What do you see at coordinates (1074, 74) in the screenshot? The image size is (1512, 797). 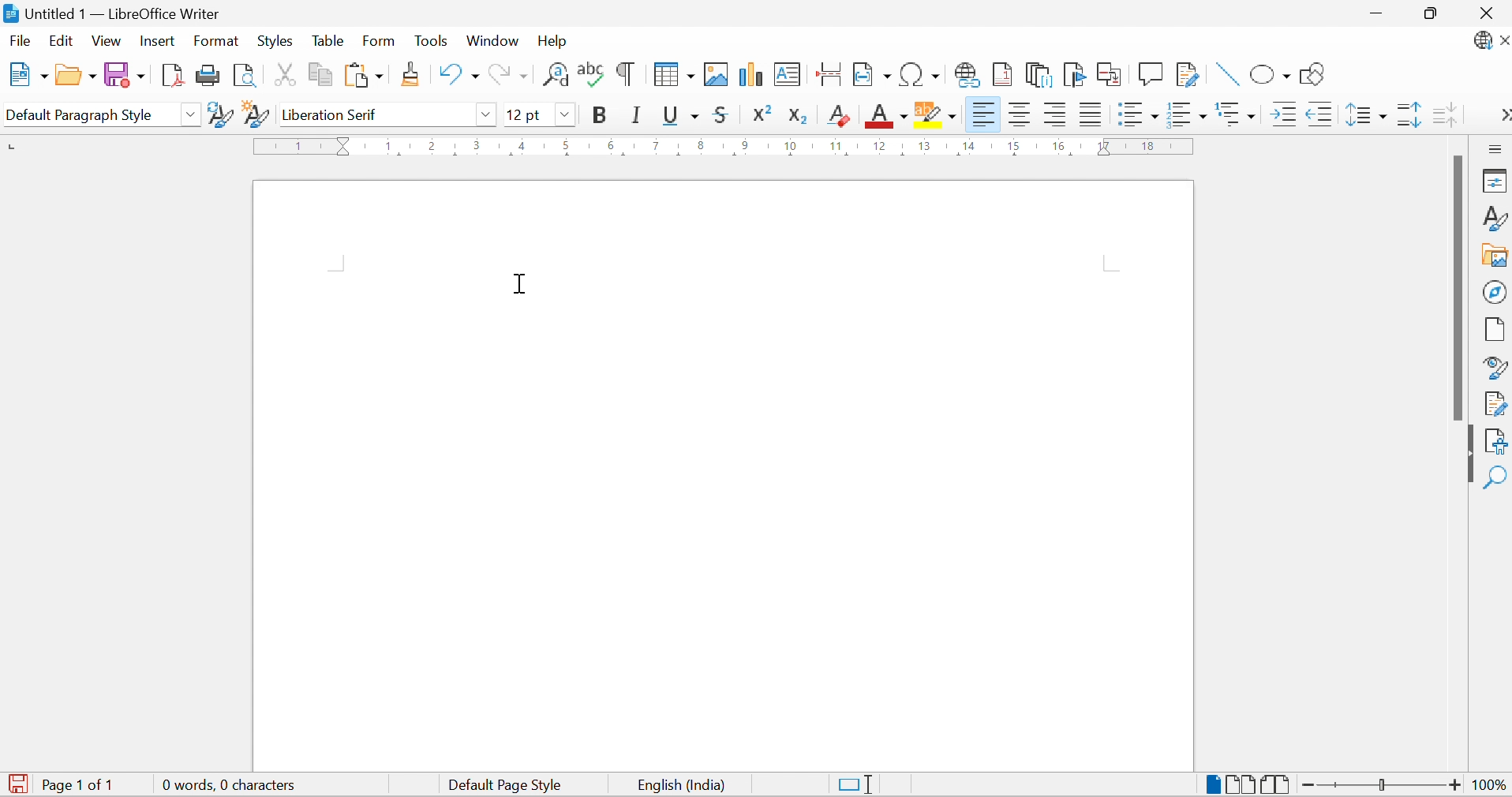 I see `Insert Bookmark` at bounding box center [1074, 74].